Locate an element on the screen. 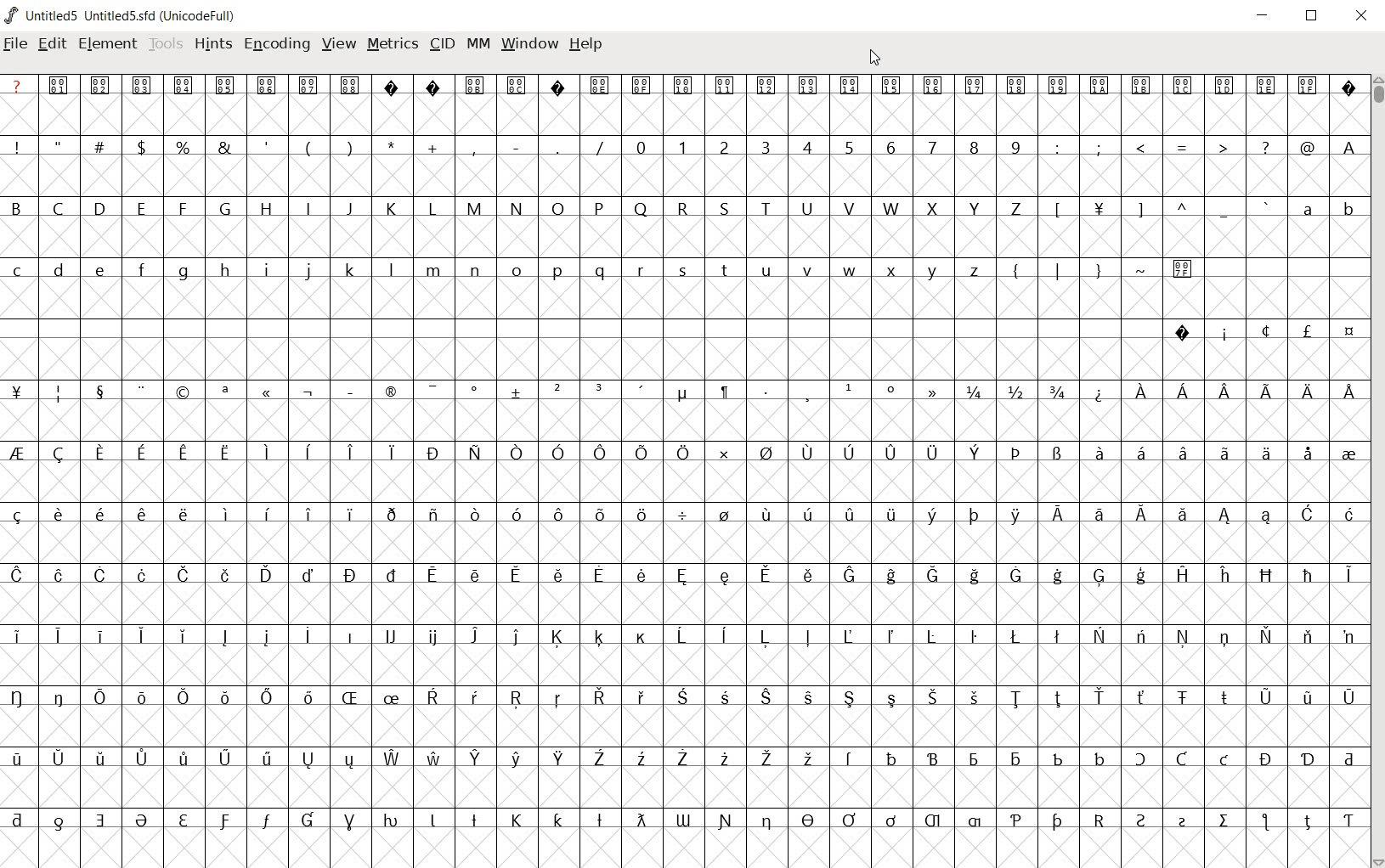 The image size is (1385, 868). Symbol is located at coordinates (225, 759).